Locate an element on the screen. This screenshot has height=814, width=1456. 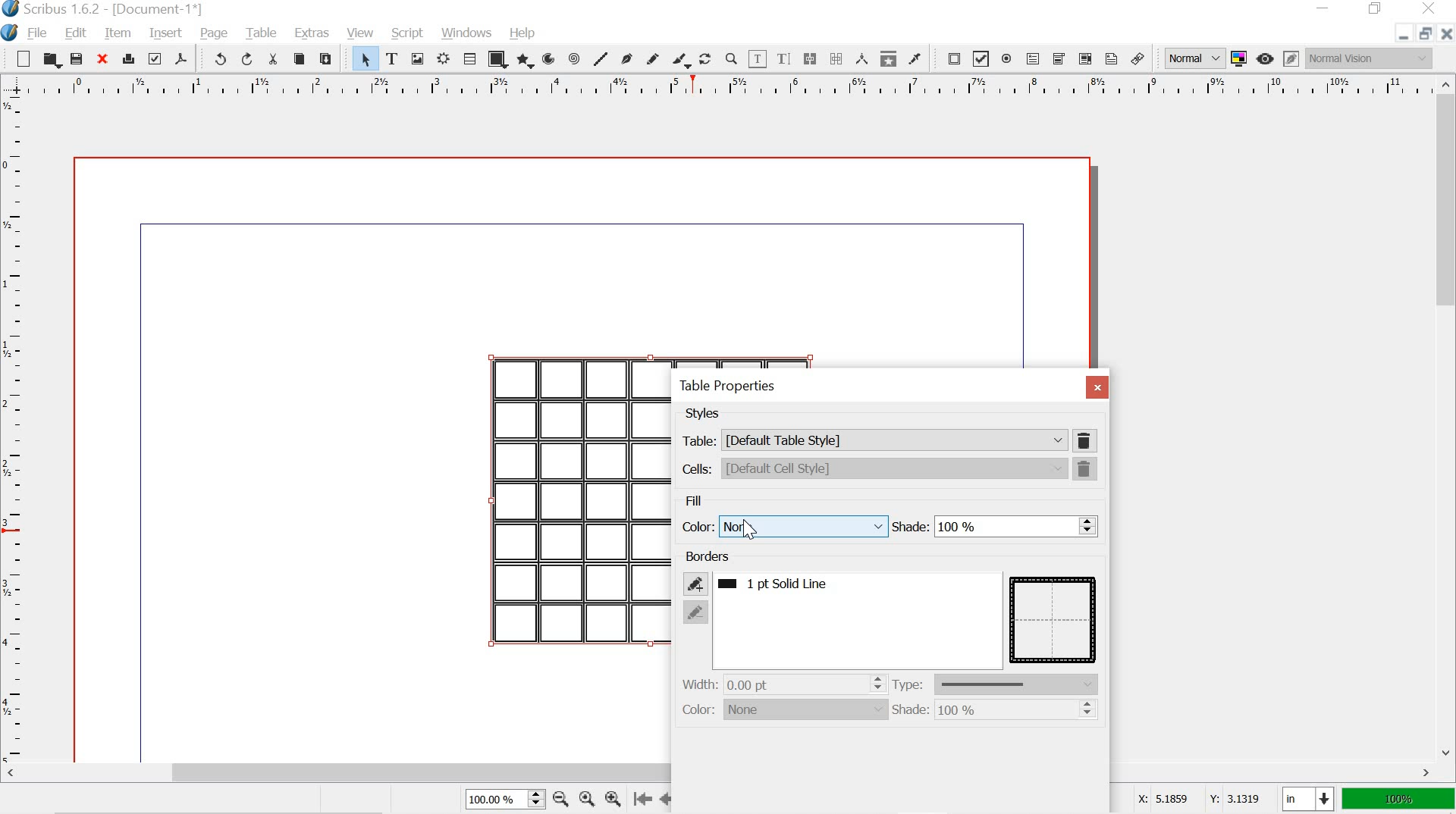
color: None is located at coordinates (783, 525).